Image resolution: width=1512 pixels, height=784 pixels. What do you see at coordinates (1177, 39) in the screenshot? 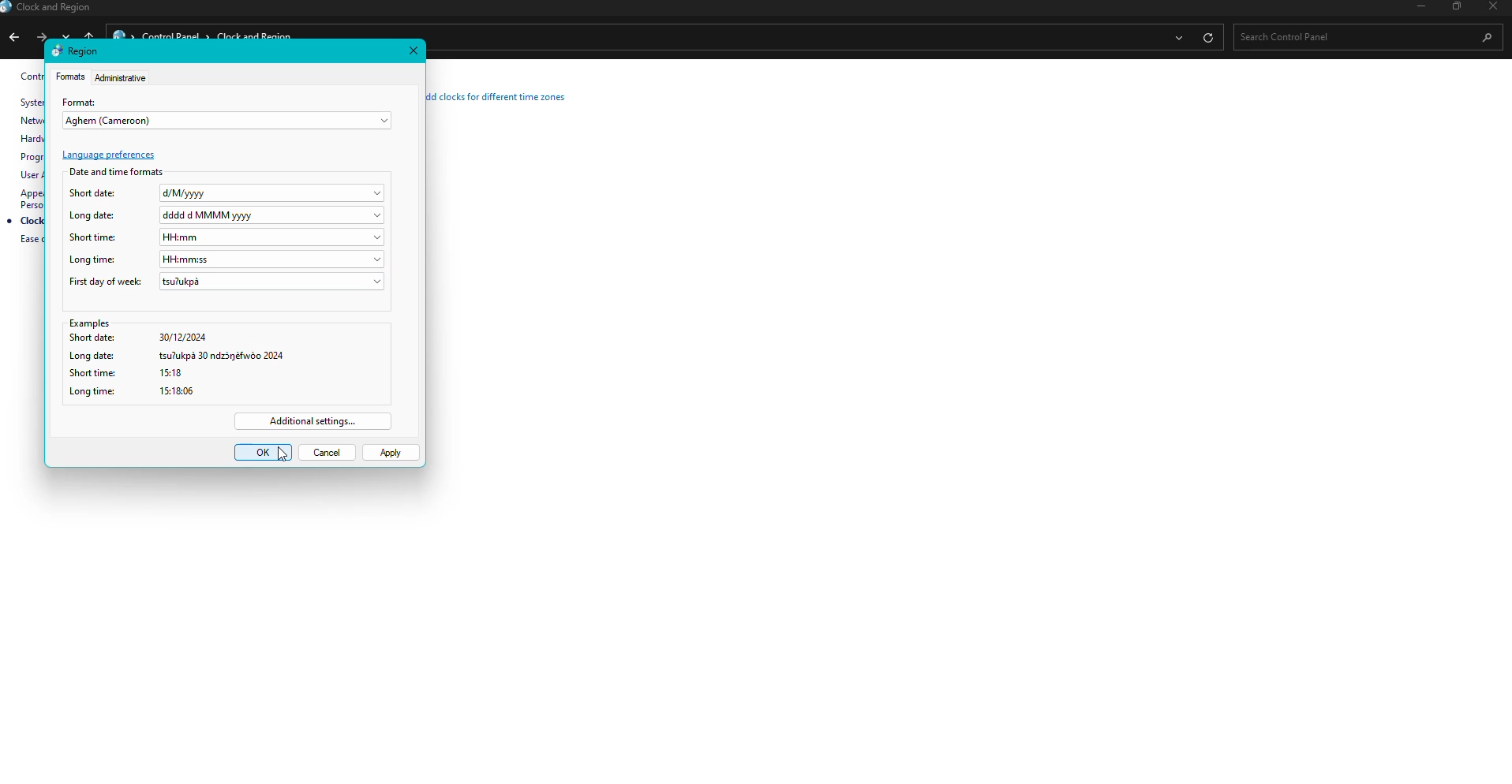
I see `more options` at bounding box center [1177, 39].